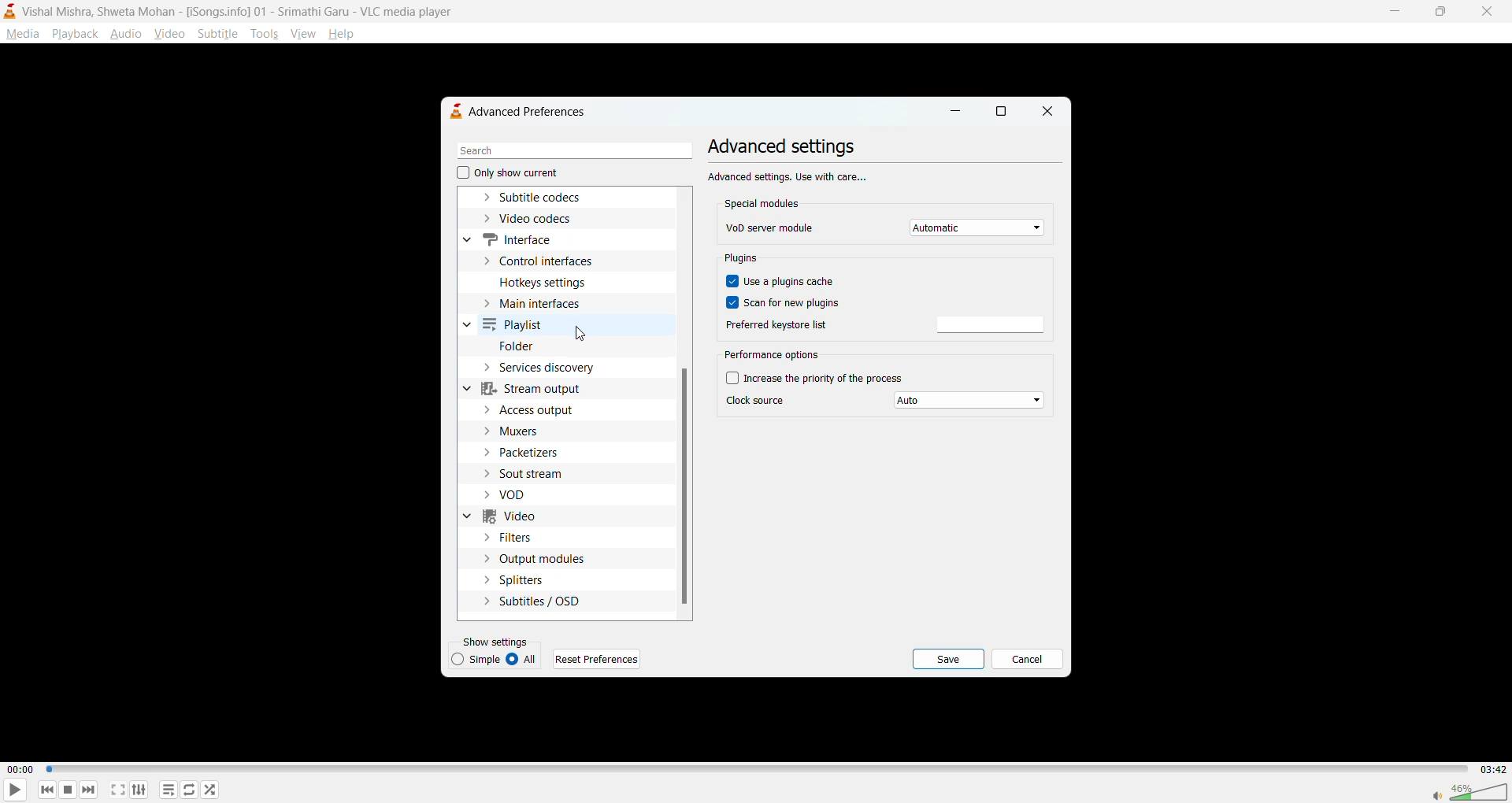 The width and height of the screenshot is (1512, 803). Describe the element at coordinates (478, 659) in the screenshot. I see `simple` at that location.